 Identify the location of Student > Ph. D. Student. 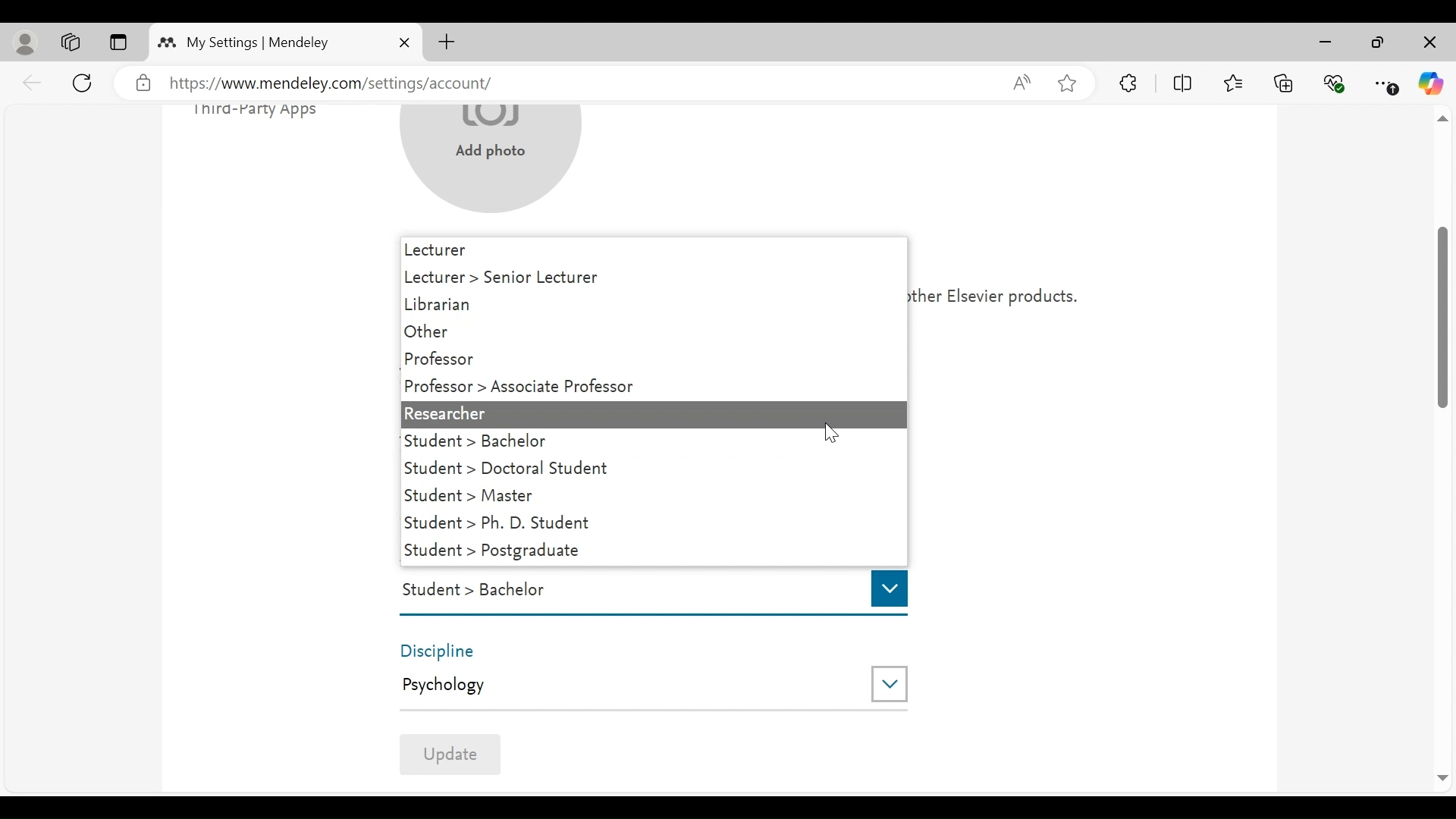
(652, 525).